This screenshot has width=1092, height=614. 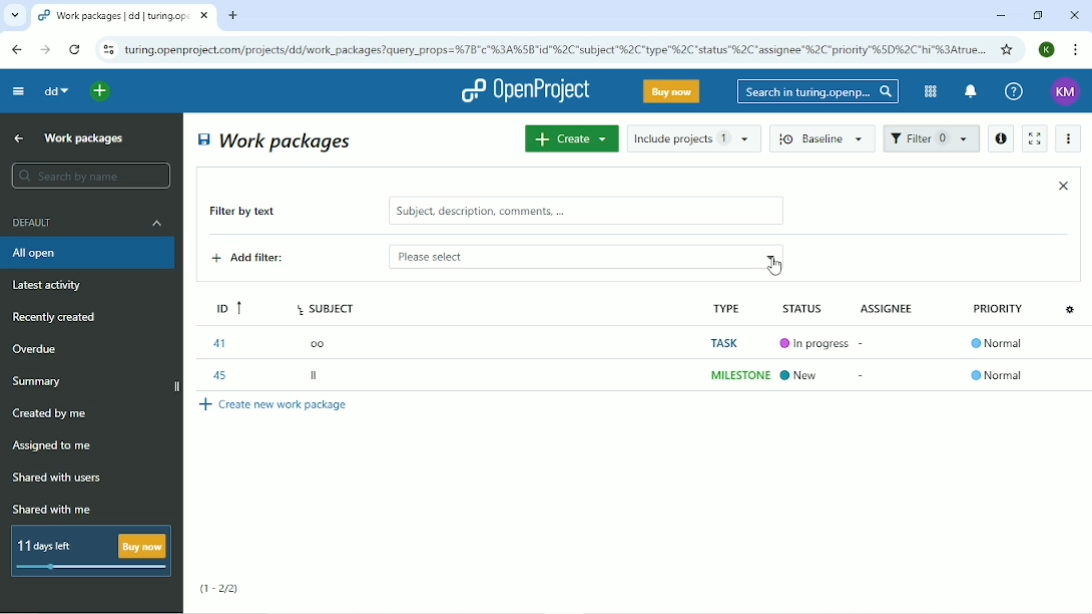 I want to click on Modules, so click(x=928, y=91).